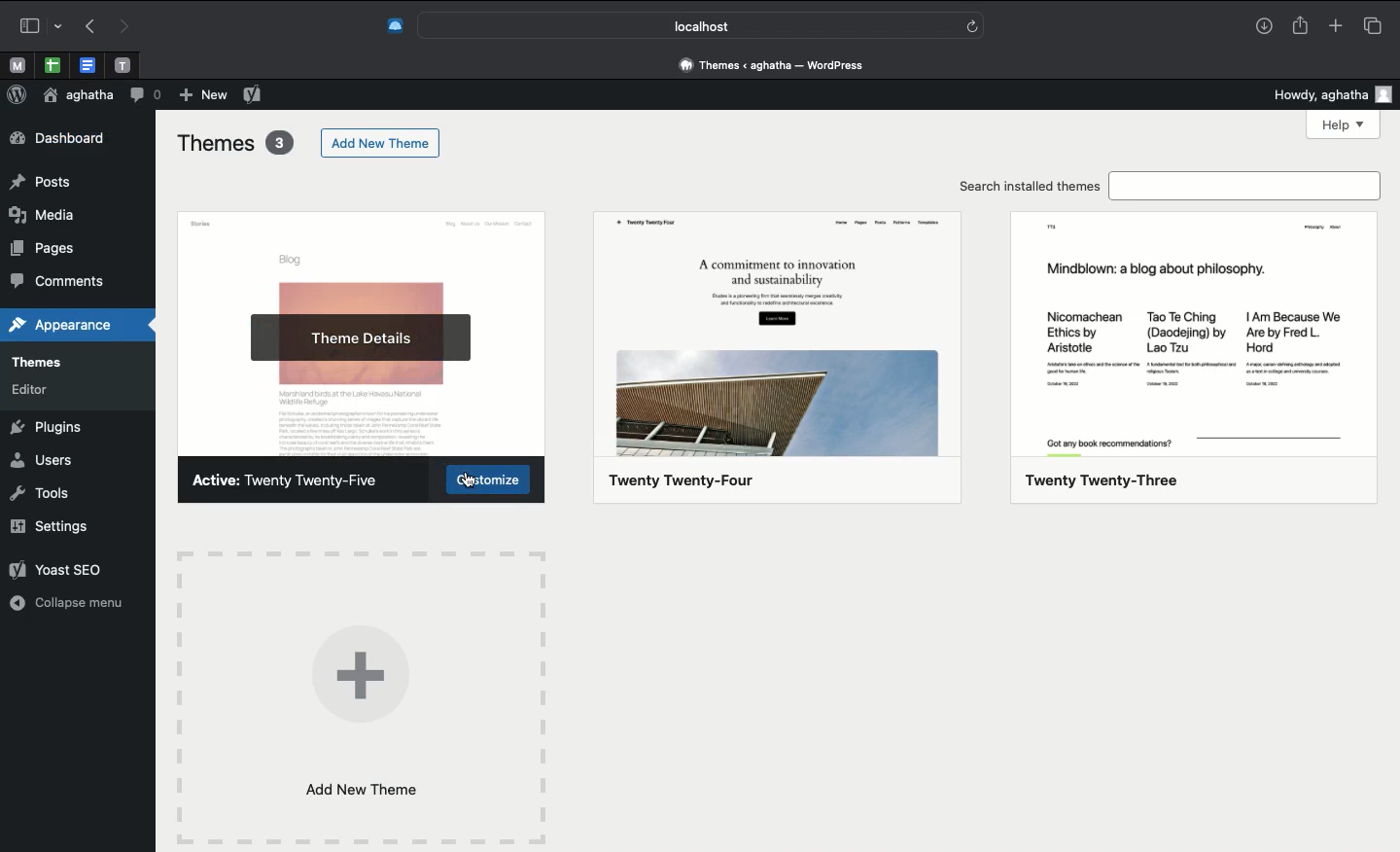 Image resolution: width=1400 pixels, height=852 pixels. I want to click on Share, so click(1300, 26).